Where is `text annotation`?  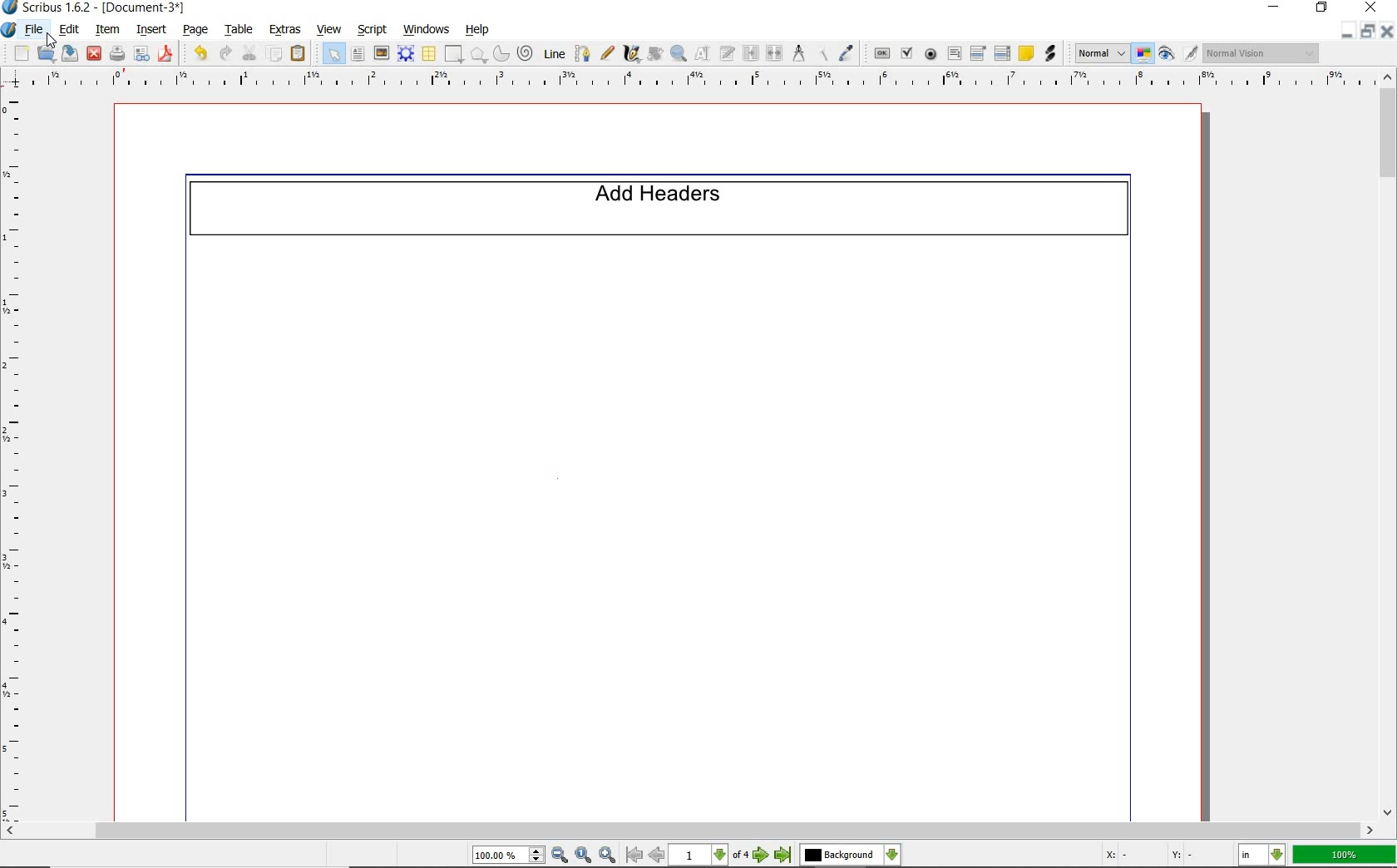
text annotation is located at coordinates (1025, 52).